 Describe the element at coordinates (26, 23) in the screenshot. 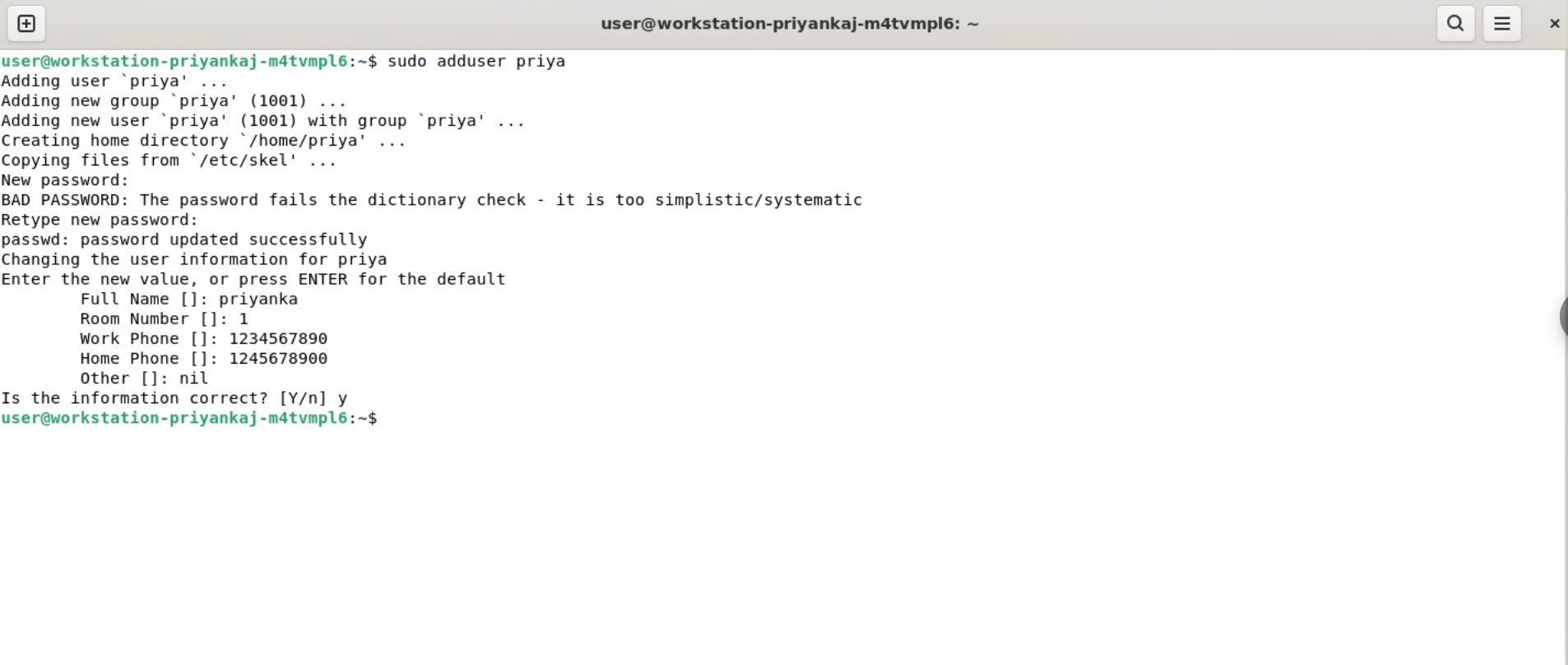

I see `new tab` at that location.